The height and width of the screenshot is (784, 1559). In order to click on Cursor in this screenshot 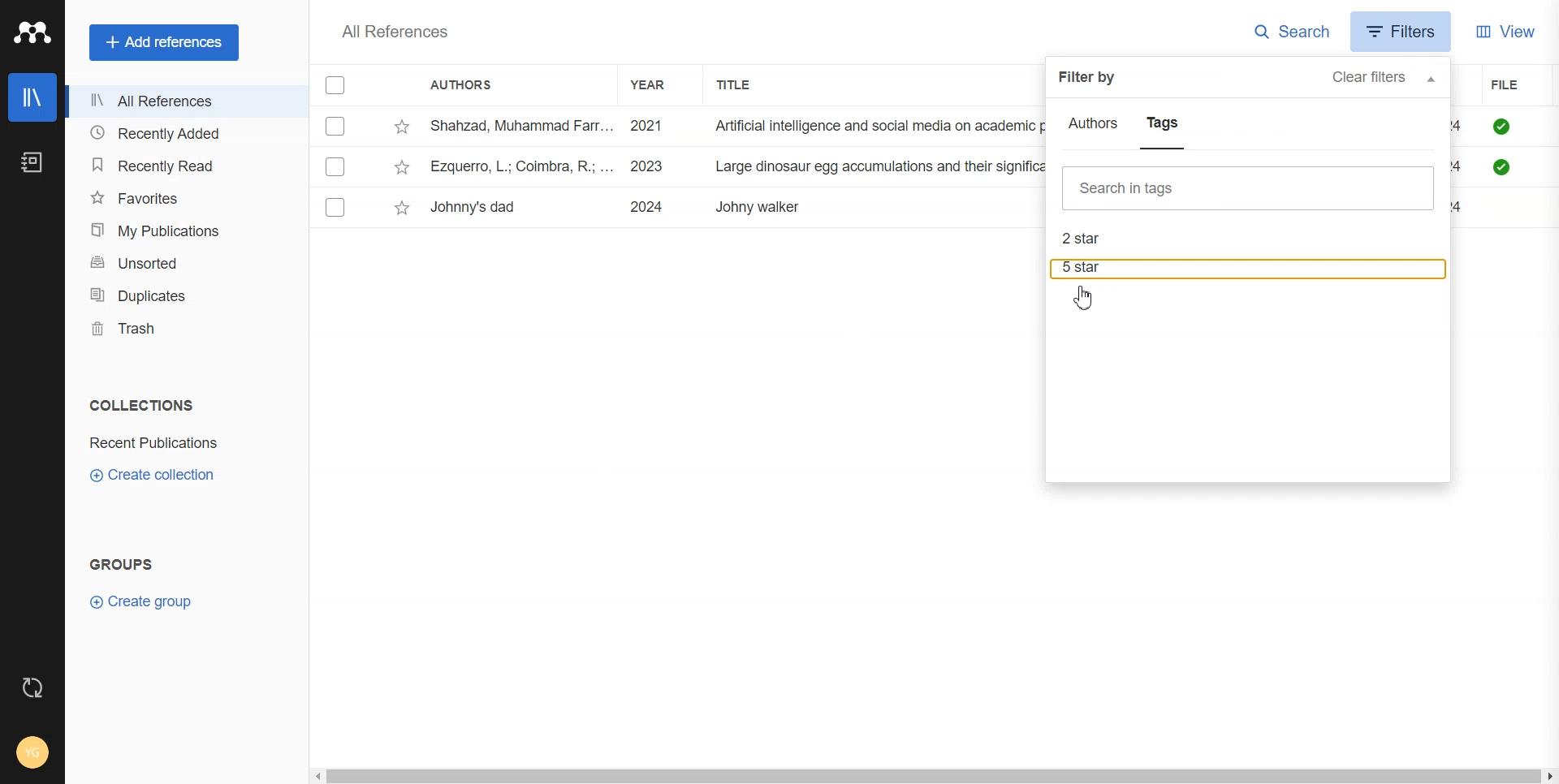, I will do `click(1086, 298)`.